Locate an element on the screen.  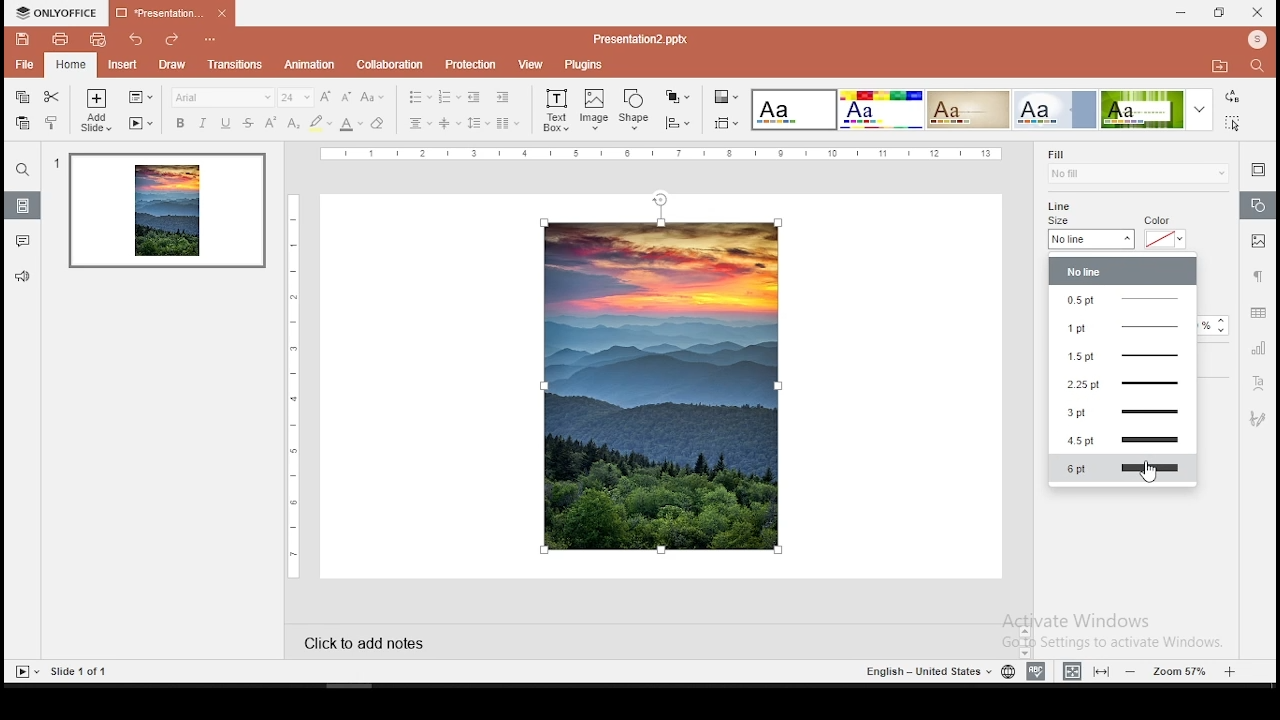
restore is located at coordinates (1217, 12).